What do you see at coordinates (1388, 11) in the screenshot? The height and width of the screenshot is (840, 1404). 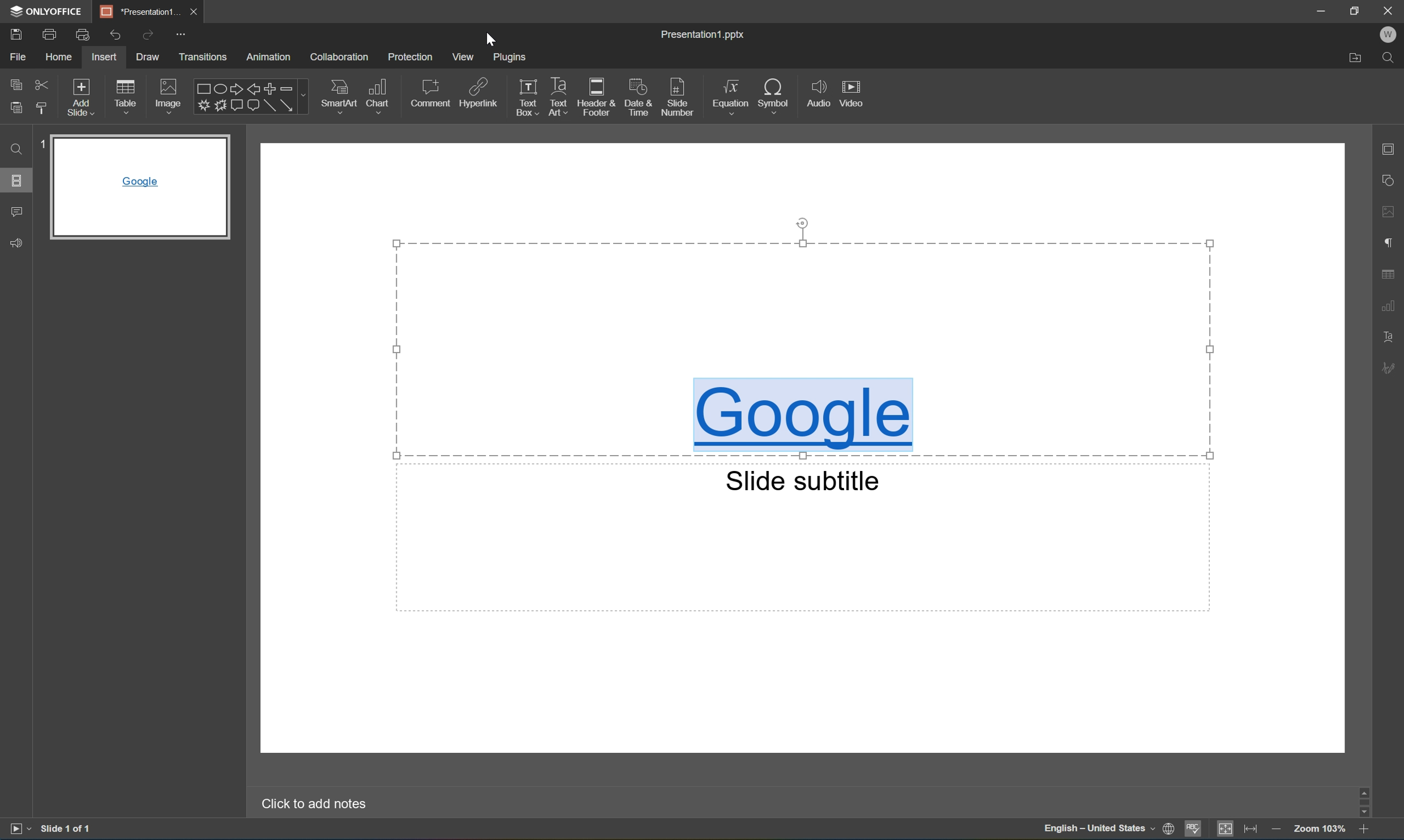 I see `Close` at bounding box center [1388, 11].